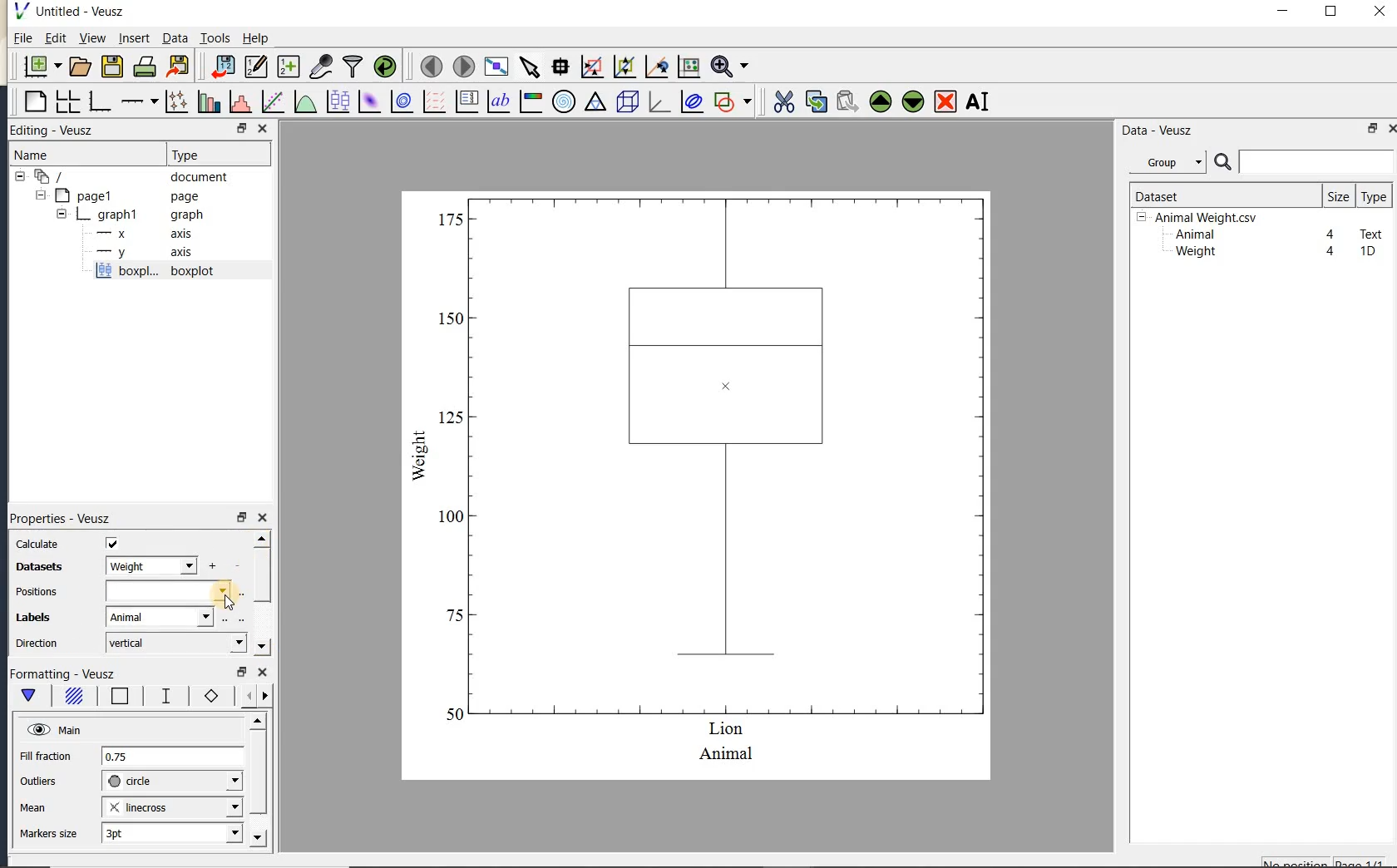 The height and width of the screenshot is (868, 1397). Describe the element at coordinates (174, 273) in the screenshot. I see `boxplot` at that location.